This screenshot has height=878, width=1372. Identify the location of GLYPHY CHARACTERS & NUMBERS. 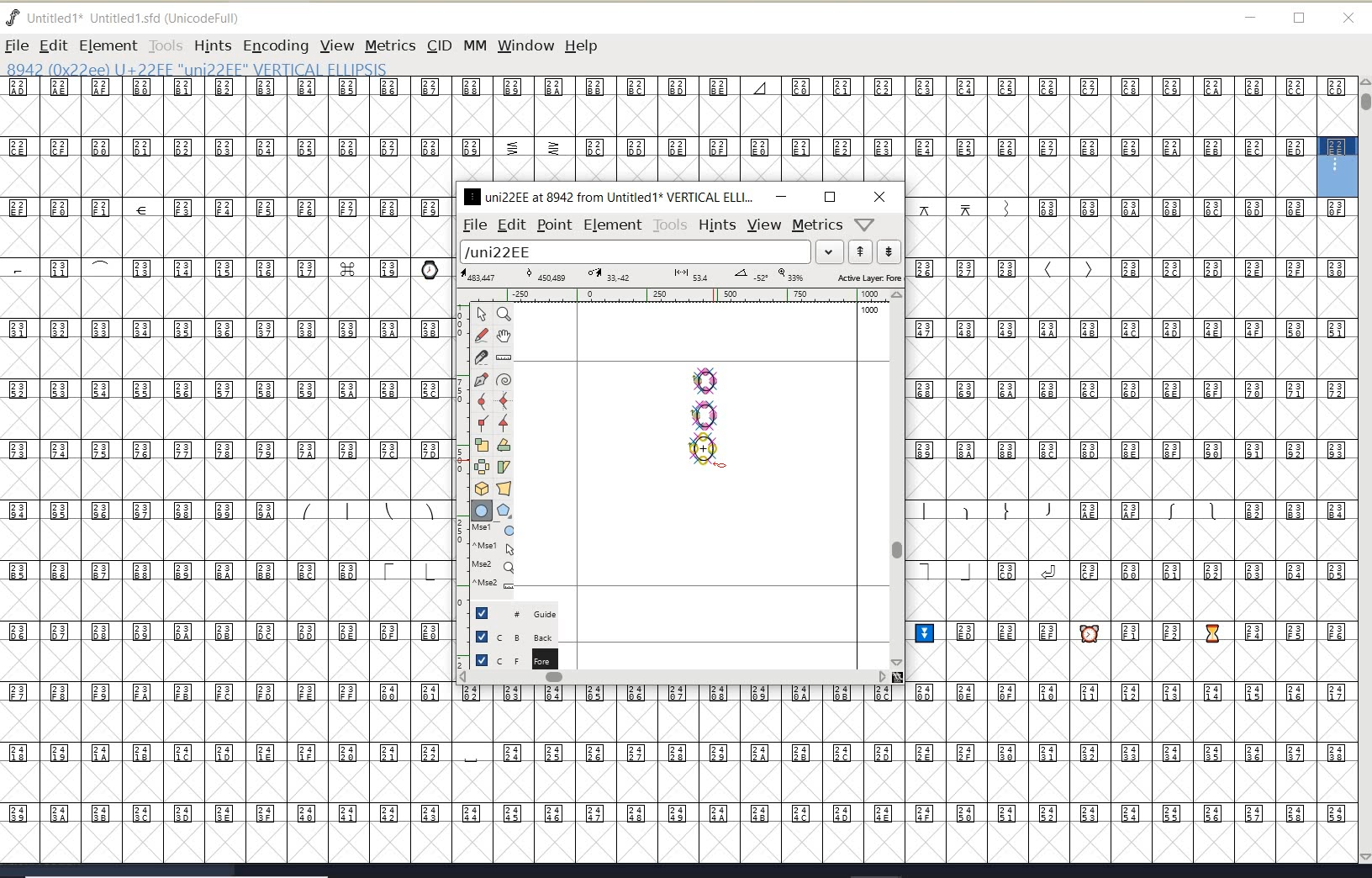
(1133, 530).